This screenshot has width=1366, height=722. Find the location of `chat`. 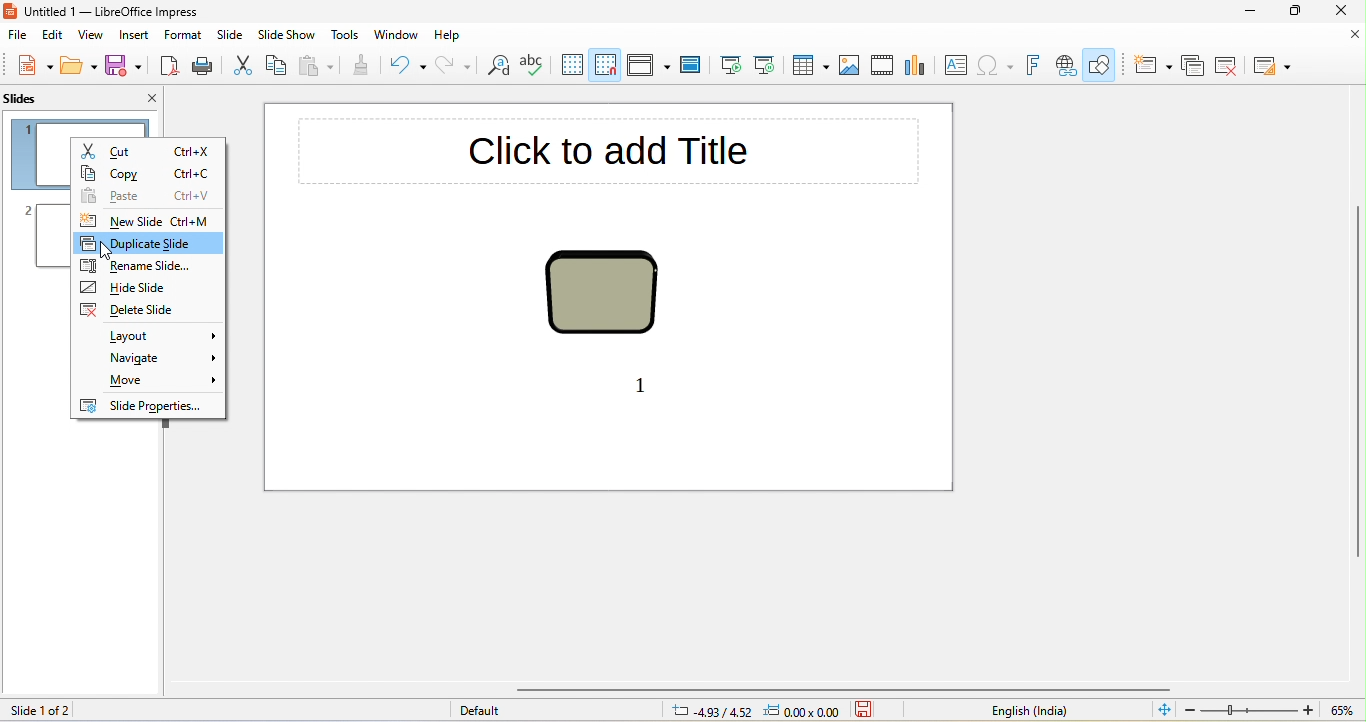

chat is located at coordinates (916, 64).